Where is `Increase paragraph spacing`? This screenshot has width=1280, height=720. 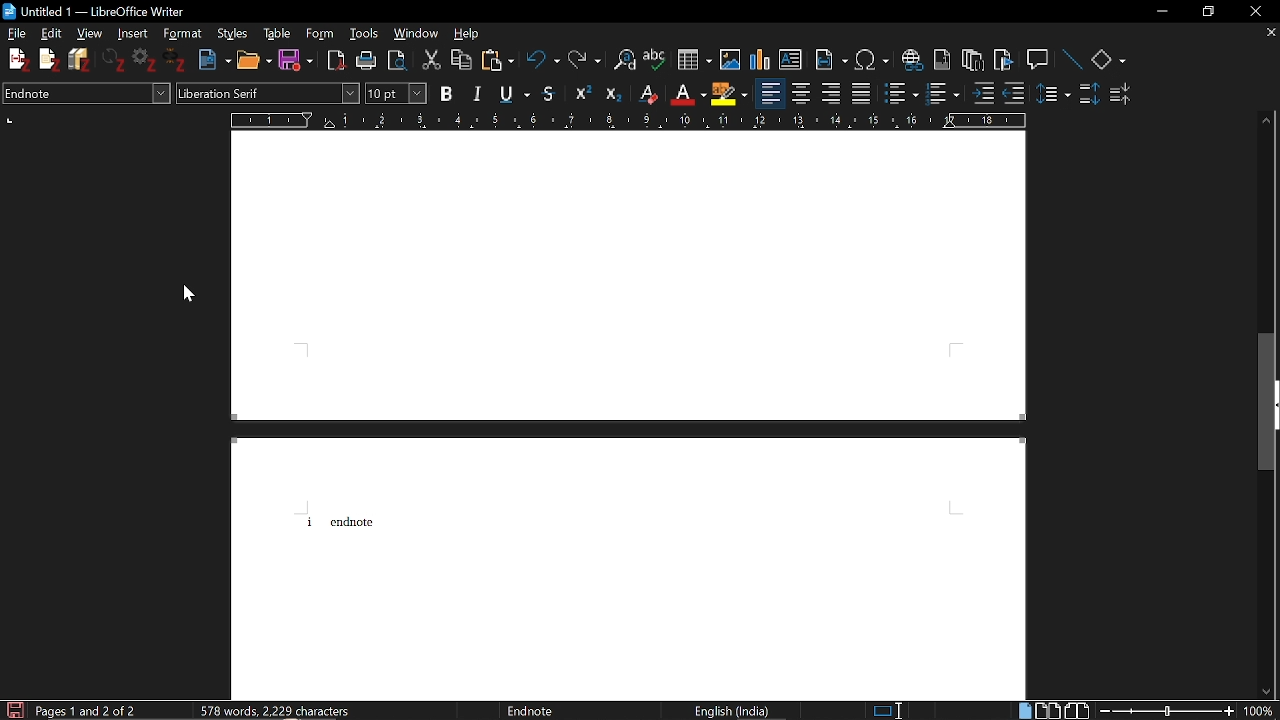
Increase paragraph spacing is located at coordinates (1090, 96).